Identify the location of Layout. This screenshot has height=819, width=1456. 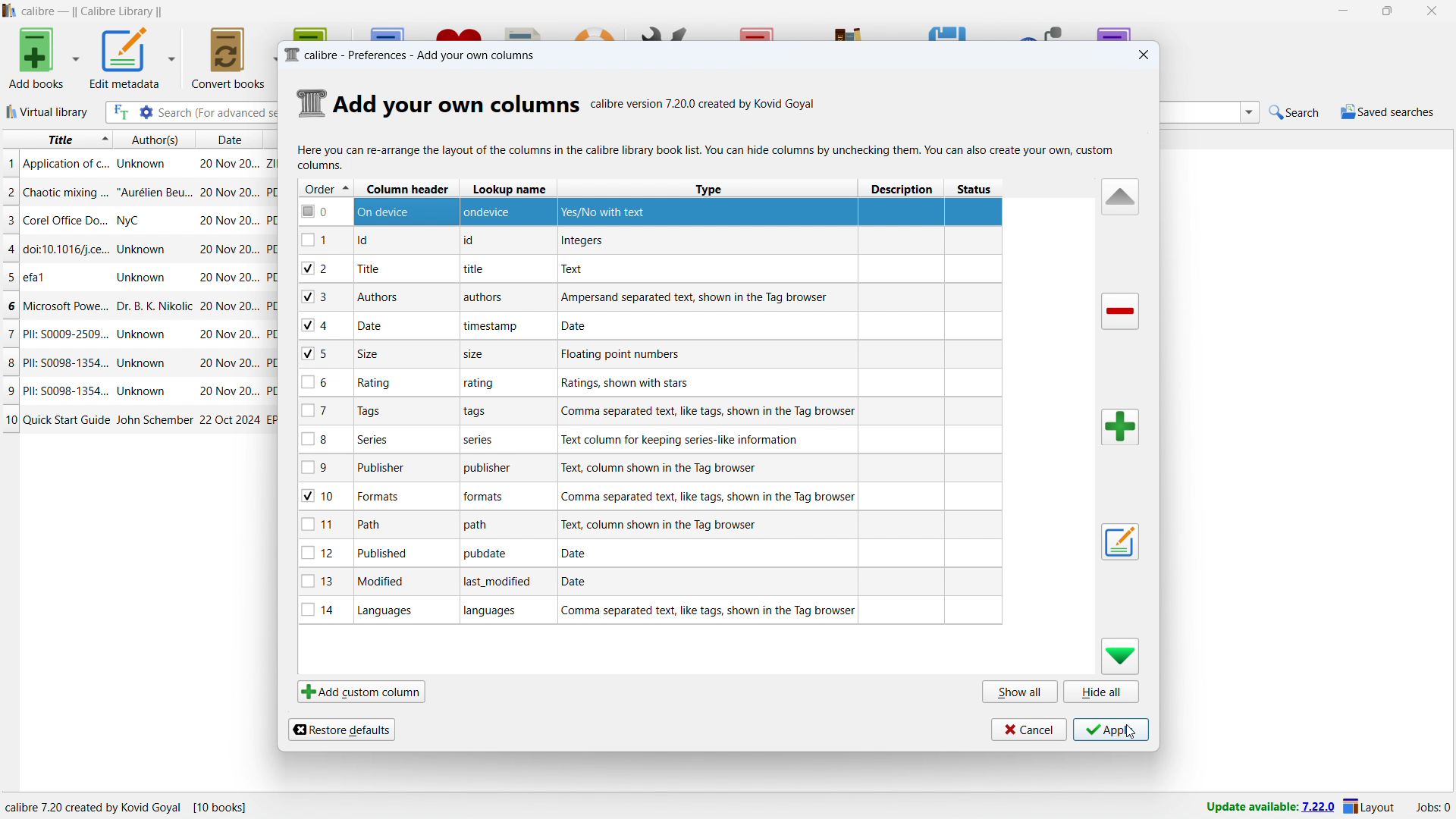
(1370, 806).